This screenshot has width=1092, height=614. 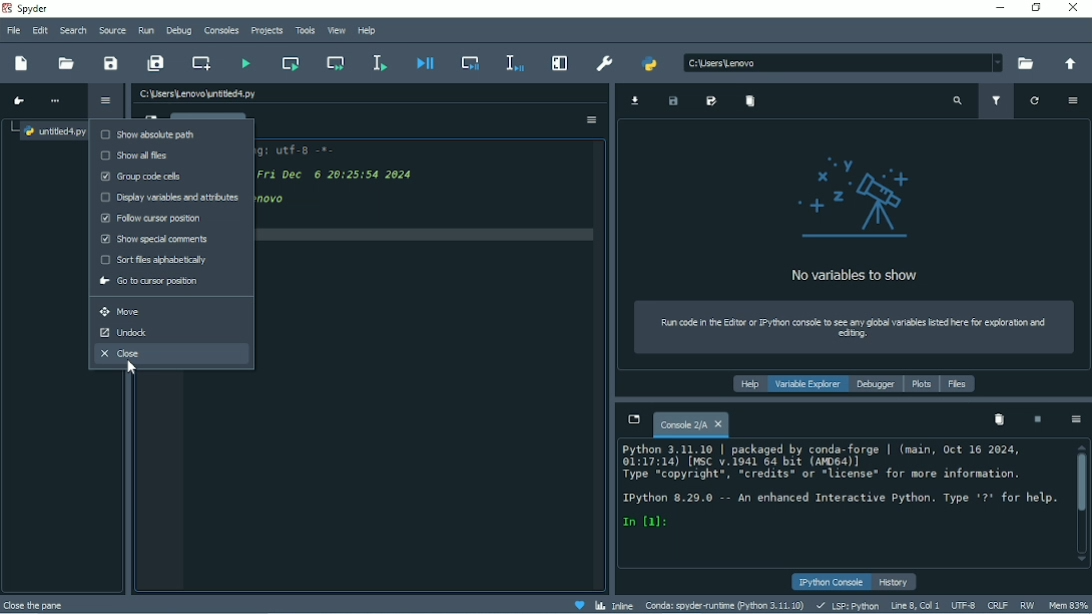 I want to click on 19 -e- codingt utt-p -o-
§ Created on pri onc o z0izsise 20s

S awthors onovo

io

8, so click(x=394, y=195).